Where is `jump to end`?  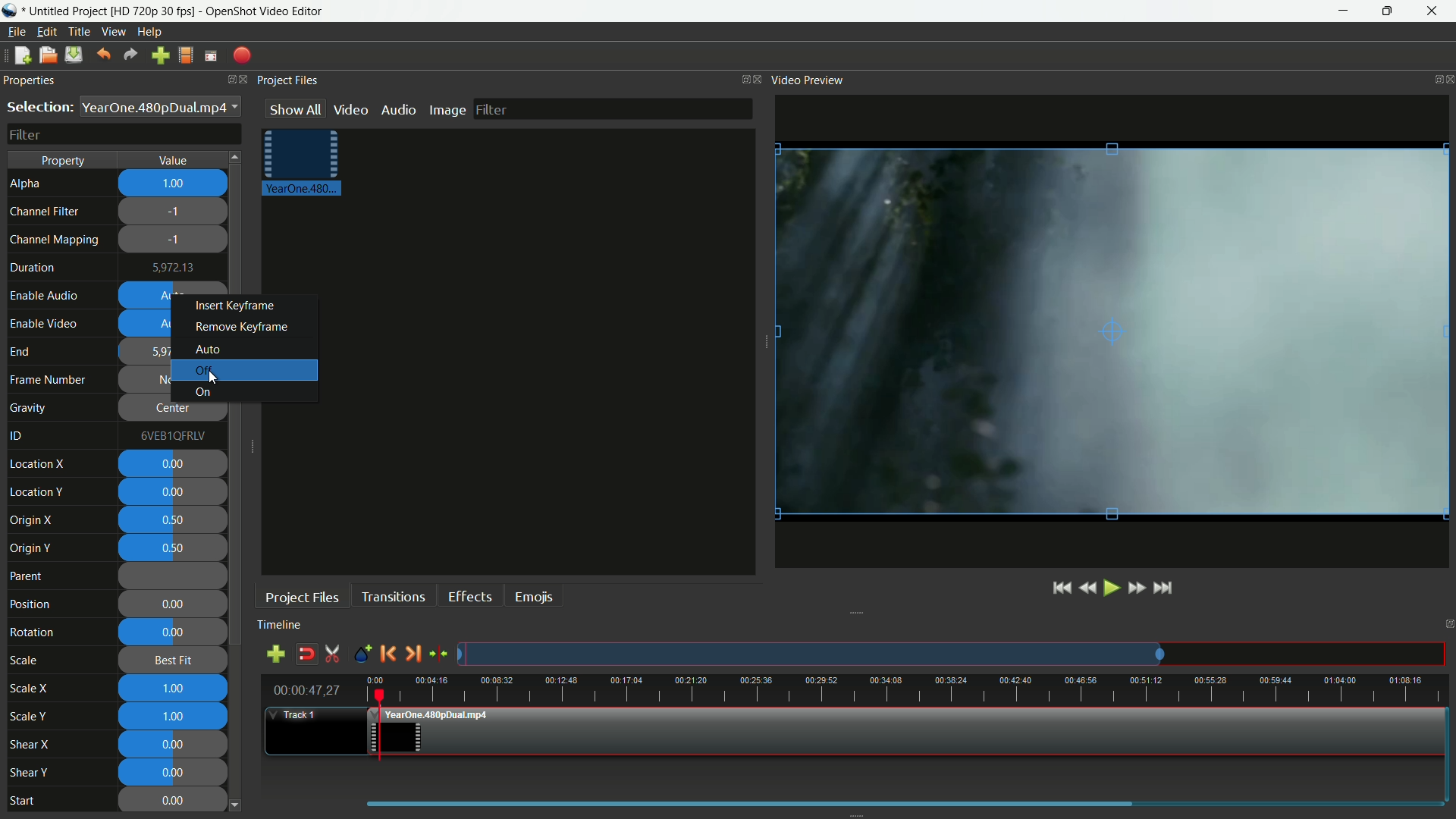
jump to end is located at coordinates (1163, 588).